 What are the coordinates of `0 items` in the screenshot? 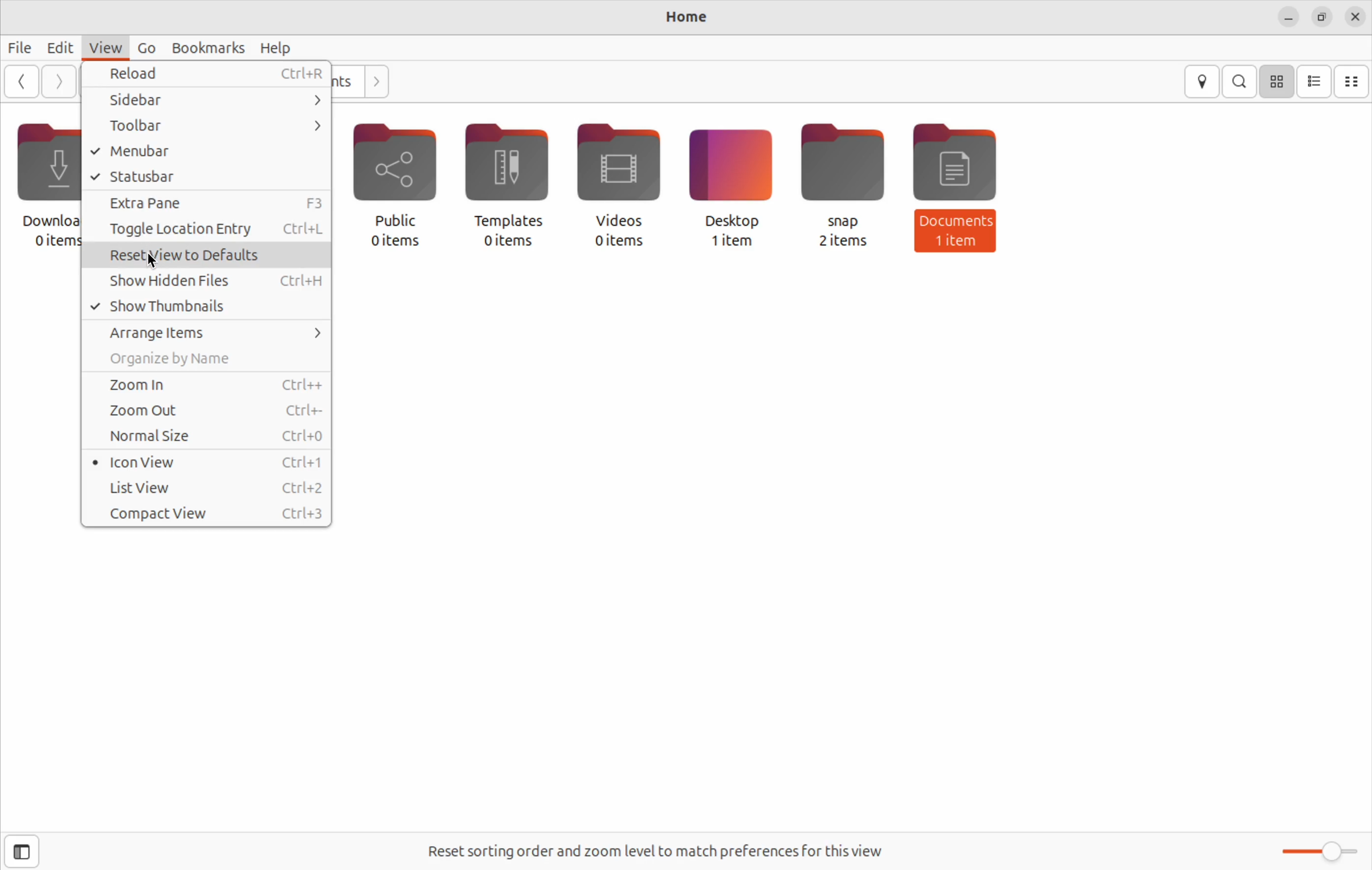 It's located at (612, 244).